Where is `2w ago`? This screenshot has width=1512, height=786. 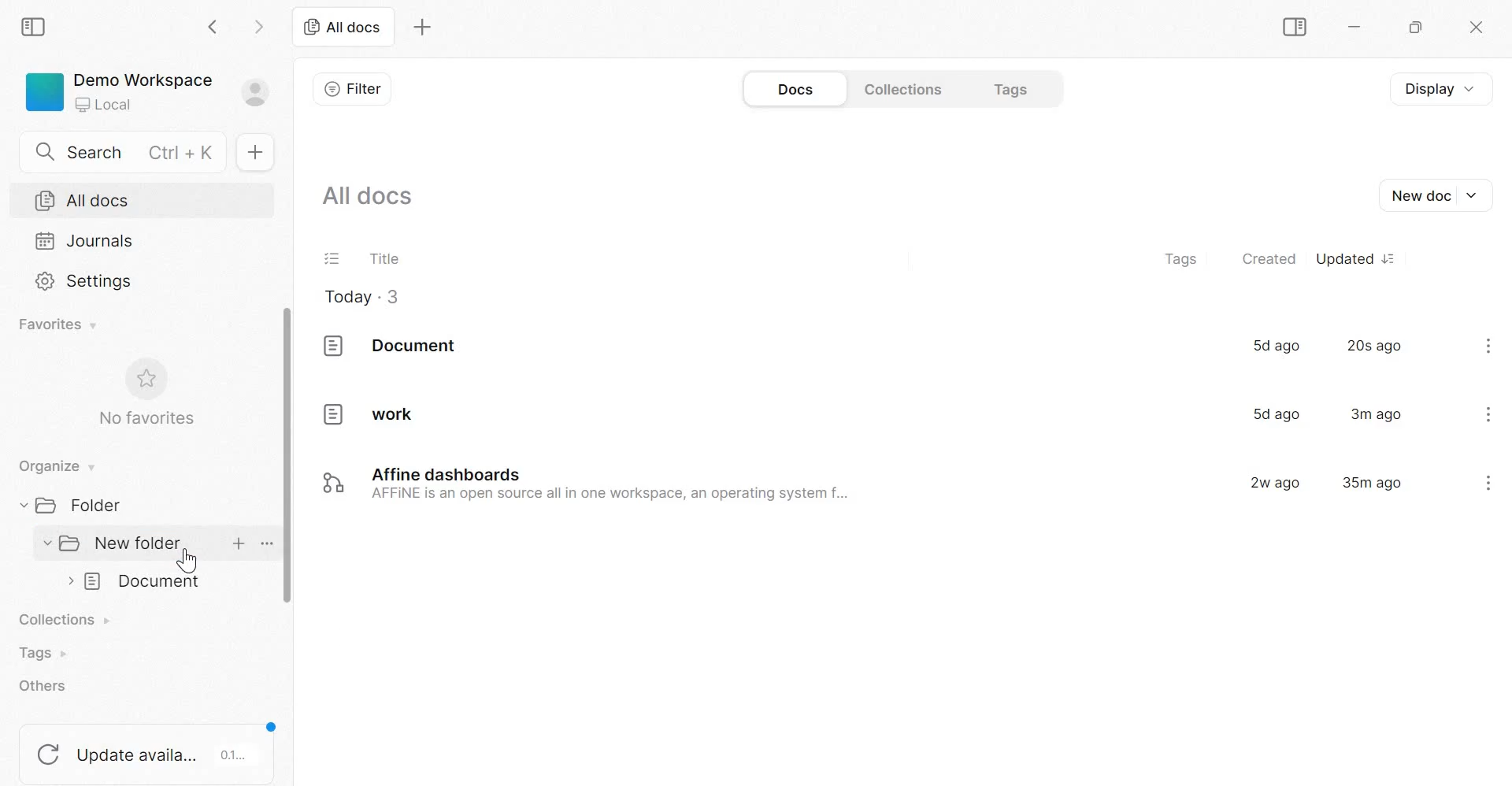
2w ago is located at coordinates (1277, 483).